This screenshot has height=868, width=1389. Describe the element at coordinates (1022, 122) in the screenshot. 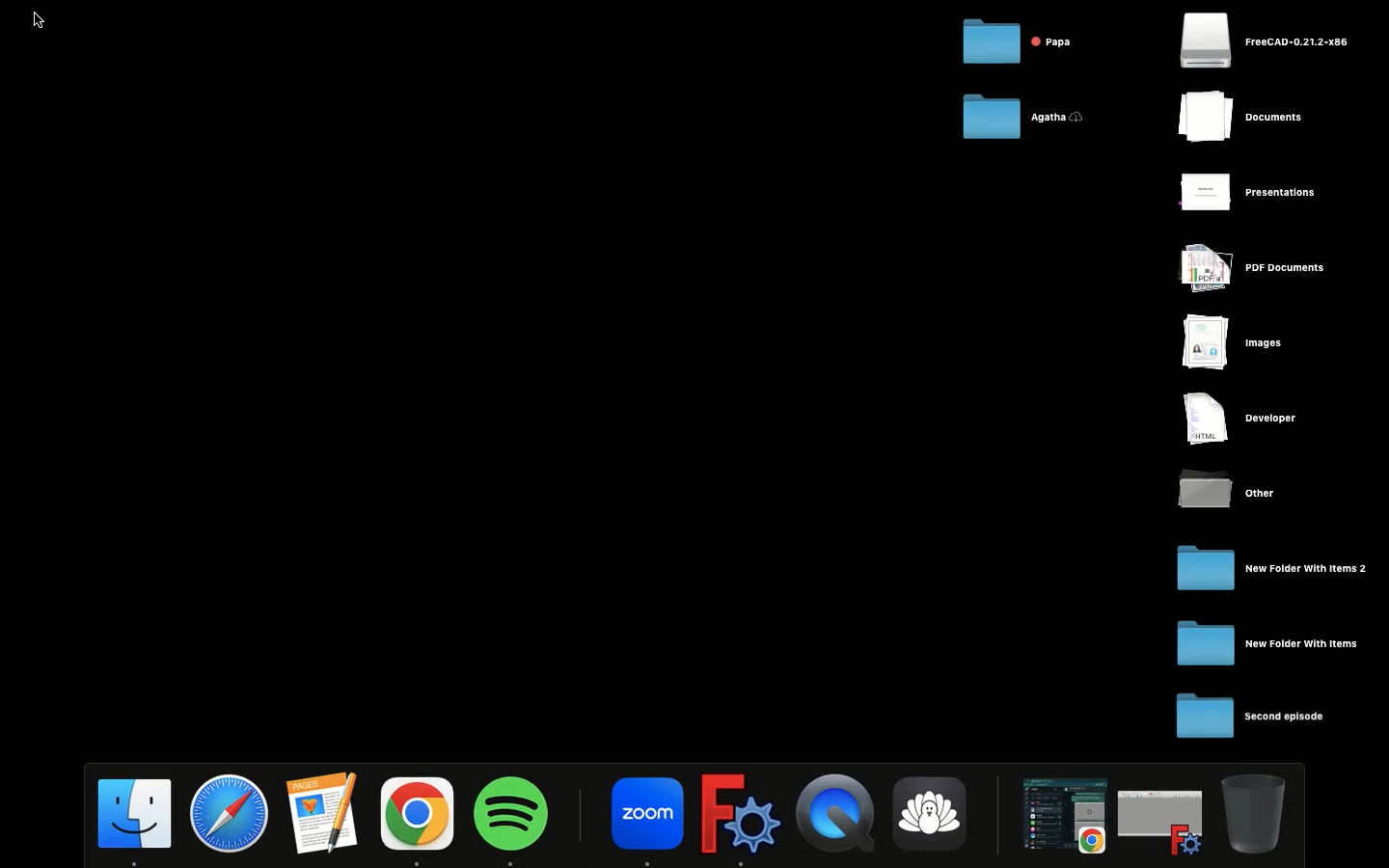

I see `Folder` at that location.